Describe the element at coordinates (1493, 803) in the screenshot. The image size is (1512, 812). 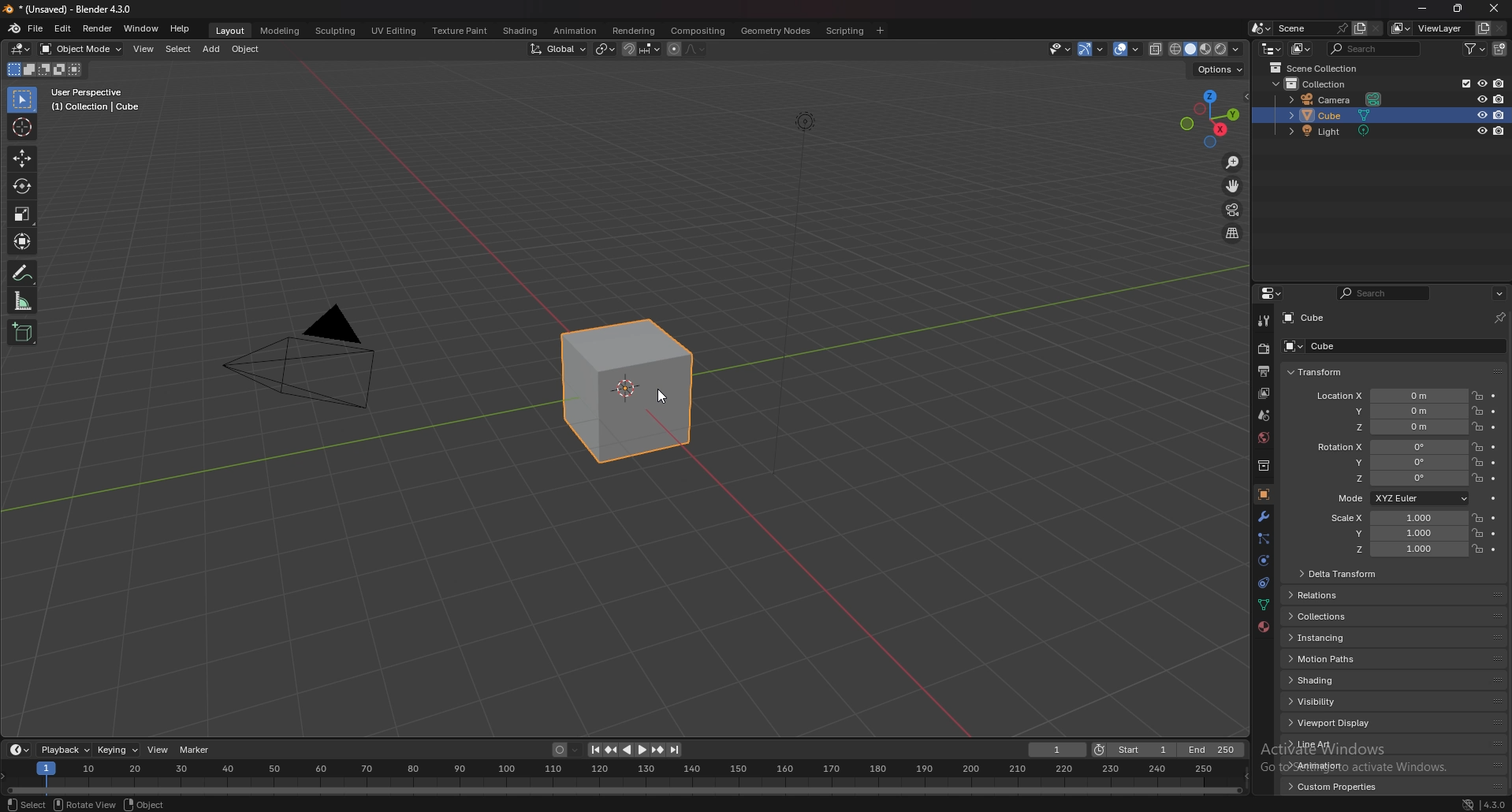
I see `version` at that location.